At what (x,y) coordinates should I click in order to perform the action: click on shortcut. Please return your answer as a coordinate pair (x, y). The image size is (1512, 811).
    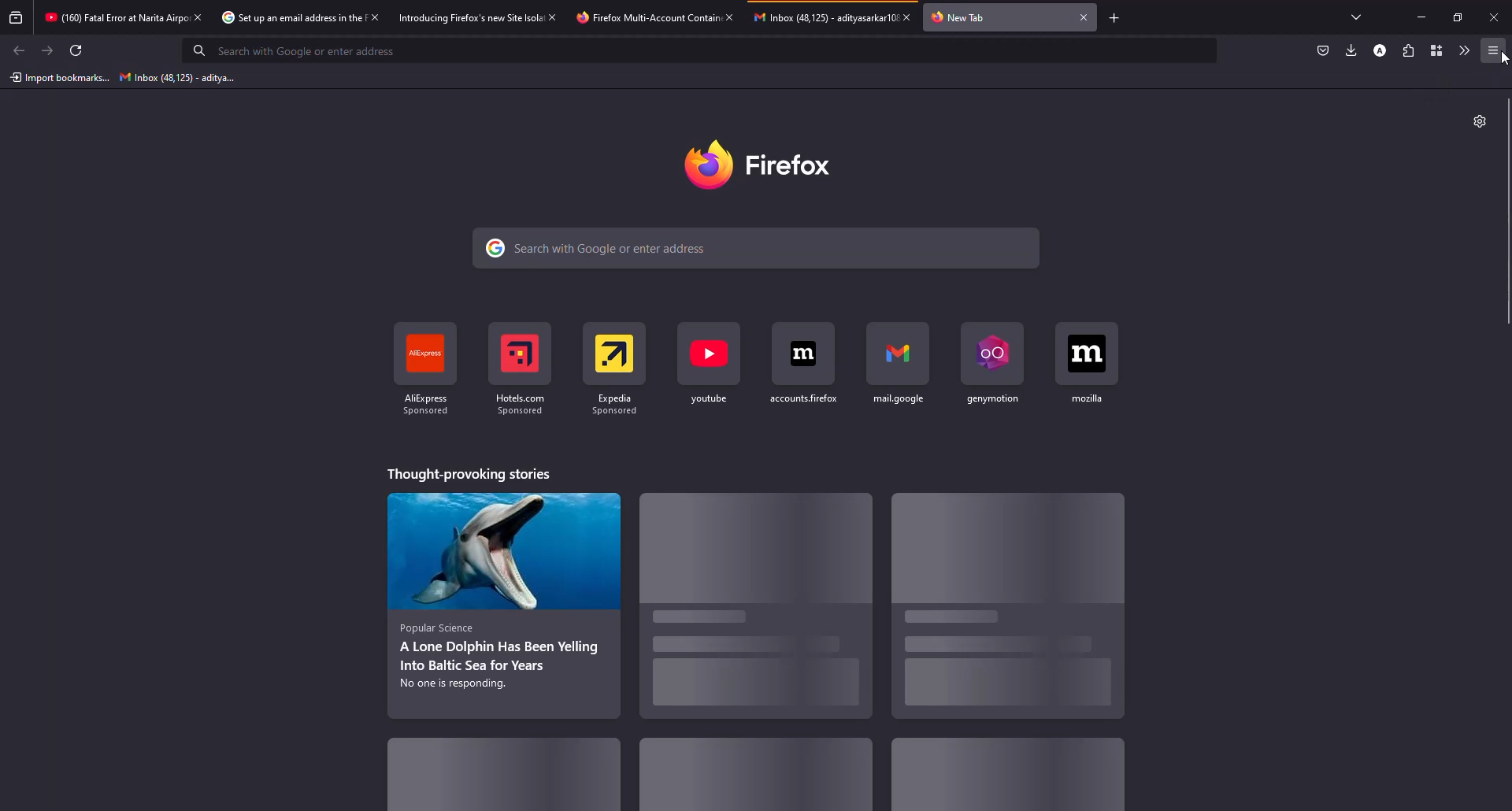
    Looking at the image, I should click on (806, 365).